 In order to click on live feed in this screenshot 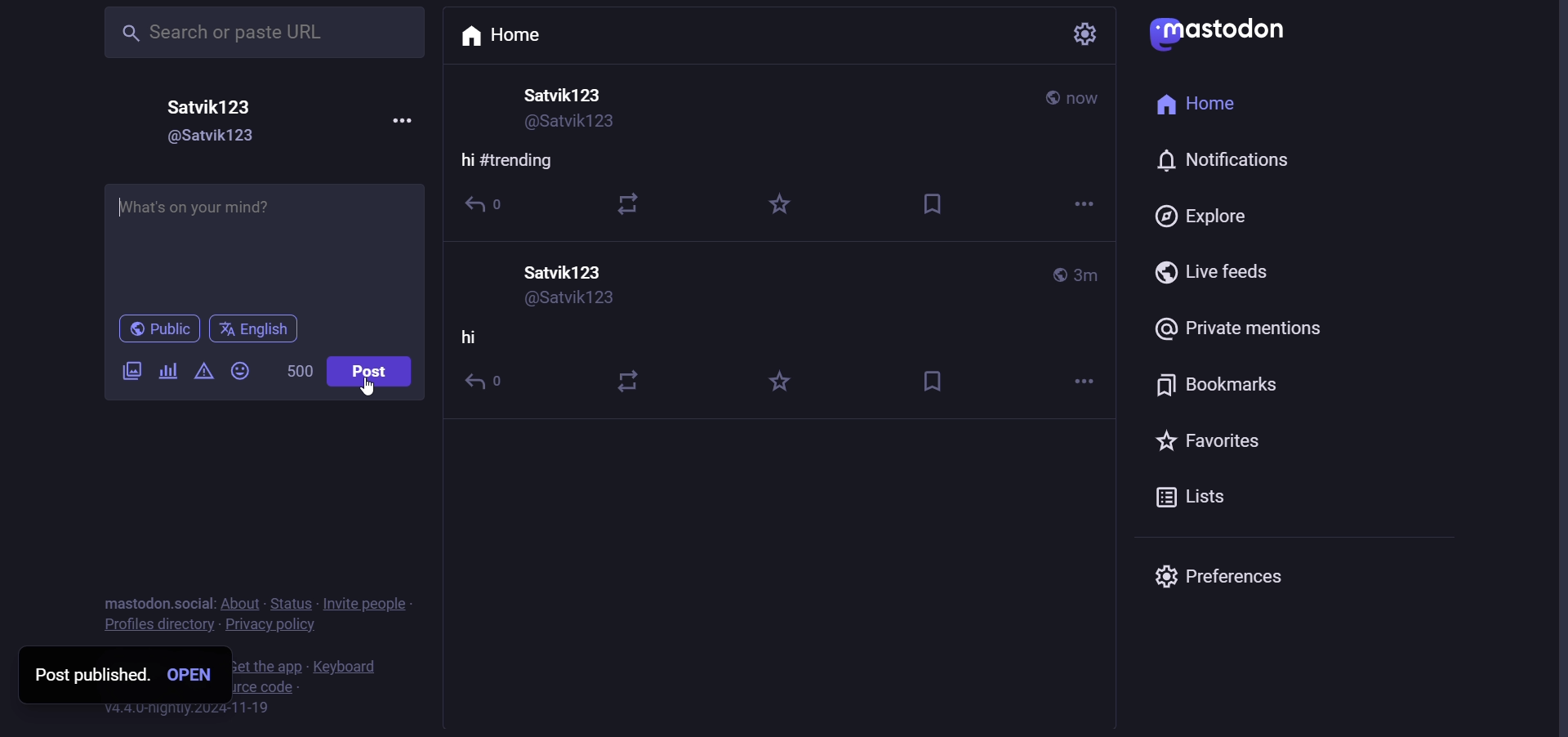, I will do `click(1212, 274)`.